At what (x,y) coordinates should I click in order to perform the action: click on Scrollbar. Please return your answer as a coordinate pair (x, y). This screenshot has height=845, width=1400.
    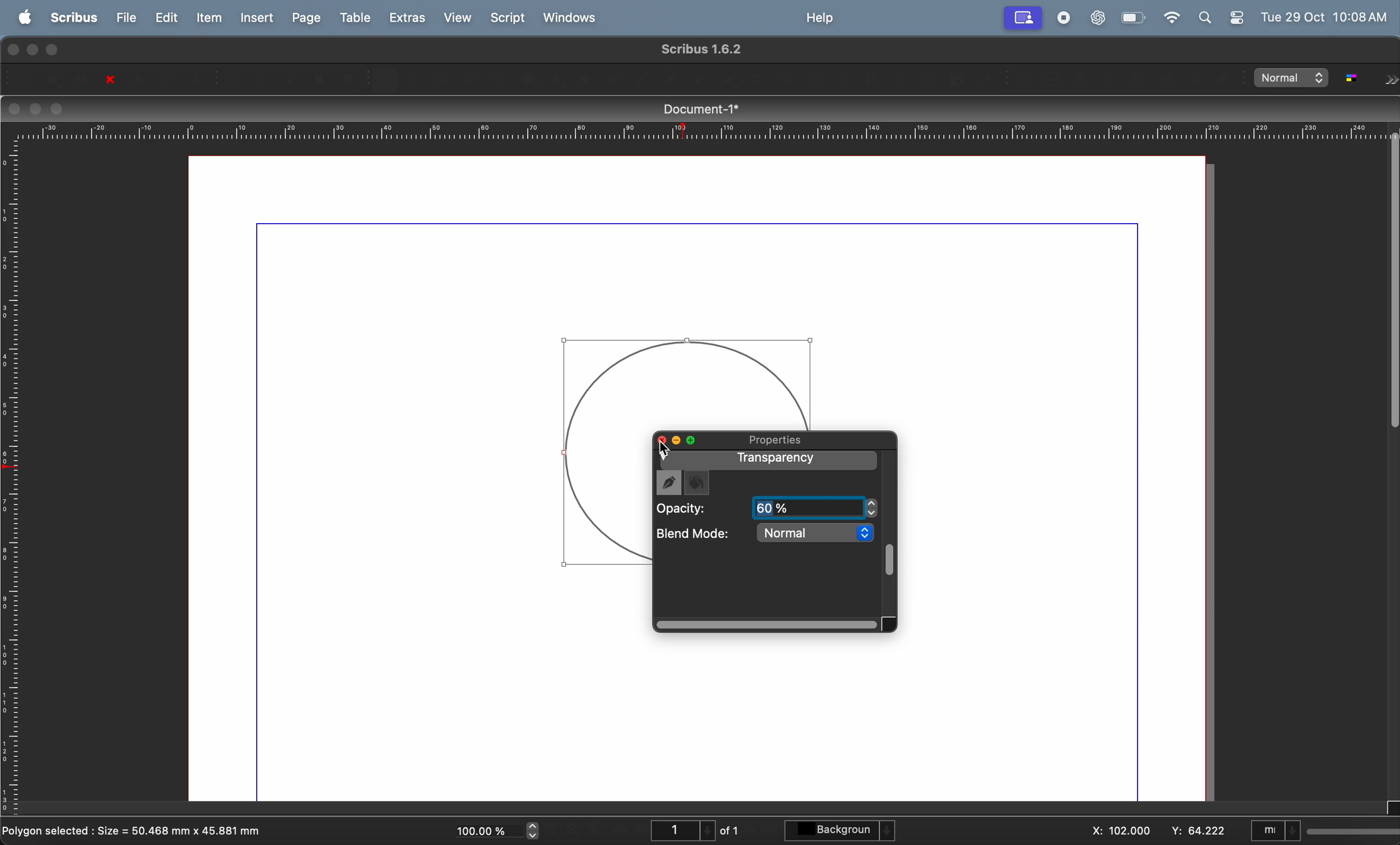
    Looking at the image, I should click on (889, 557).